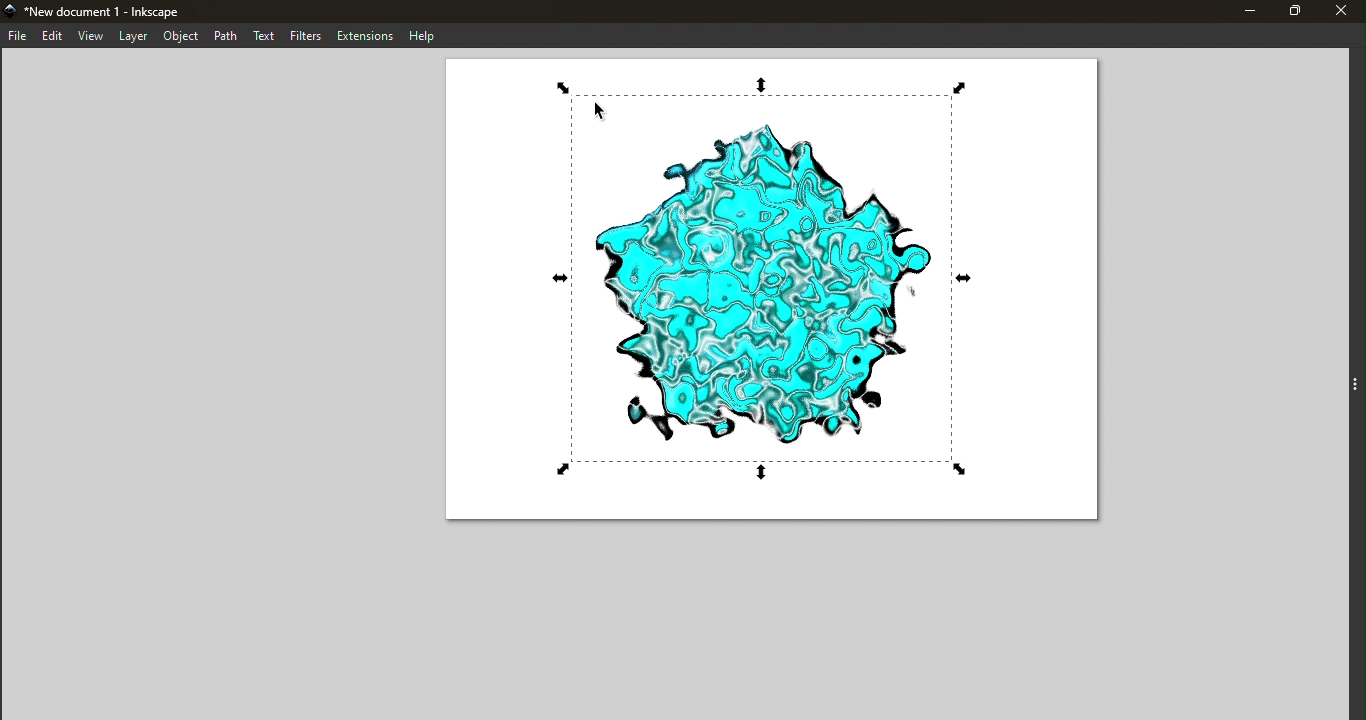  I want to click on Cursor, so click(596, 113).